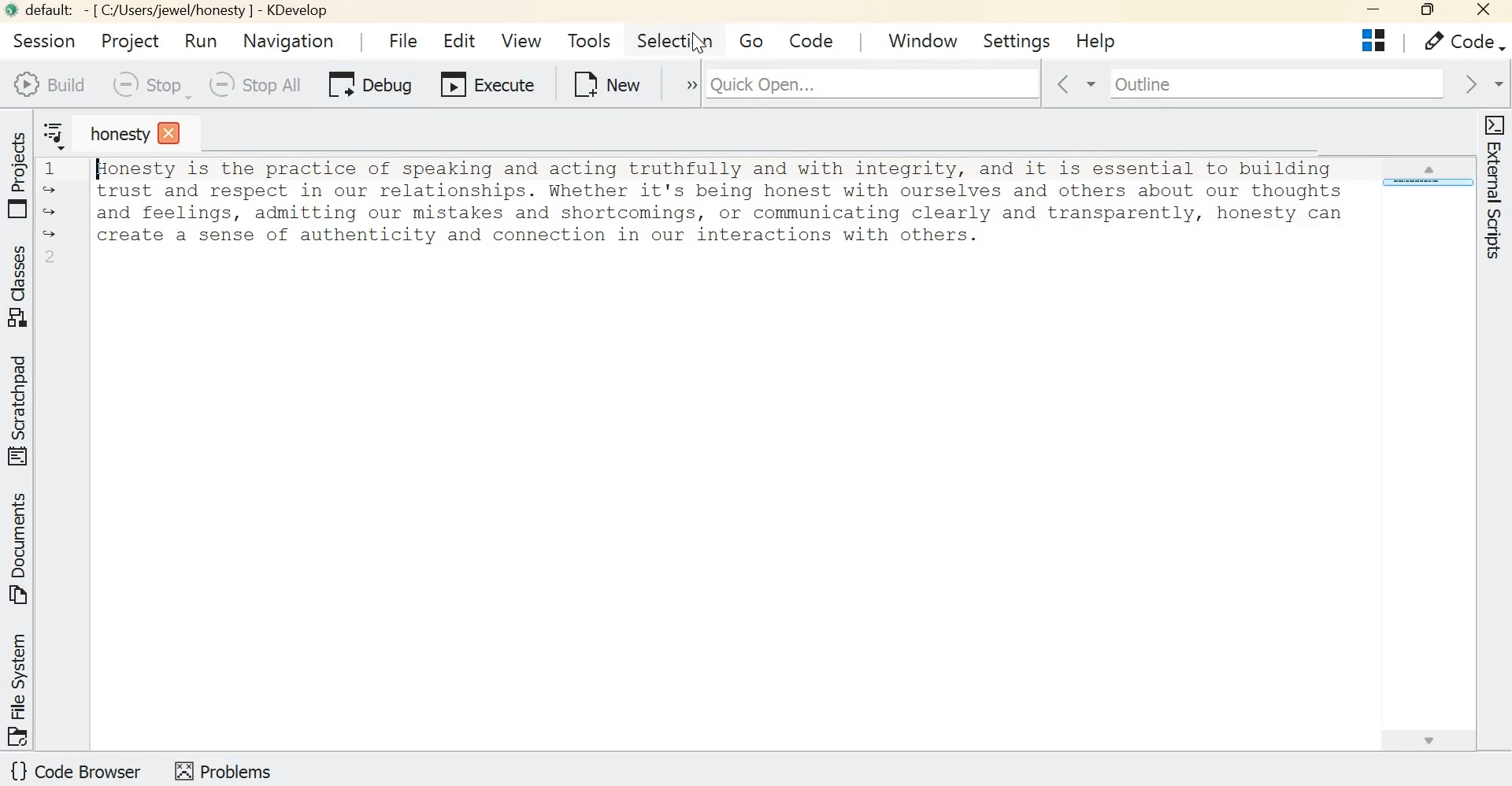 Image resolution: width=1512 pixels, height=786 pixels. What do you see at coordinates (40, 39) in the screenshot?
I see `Session` at bounding box center [40, 39].